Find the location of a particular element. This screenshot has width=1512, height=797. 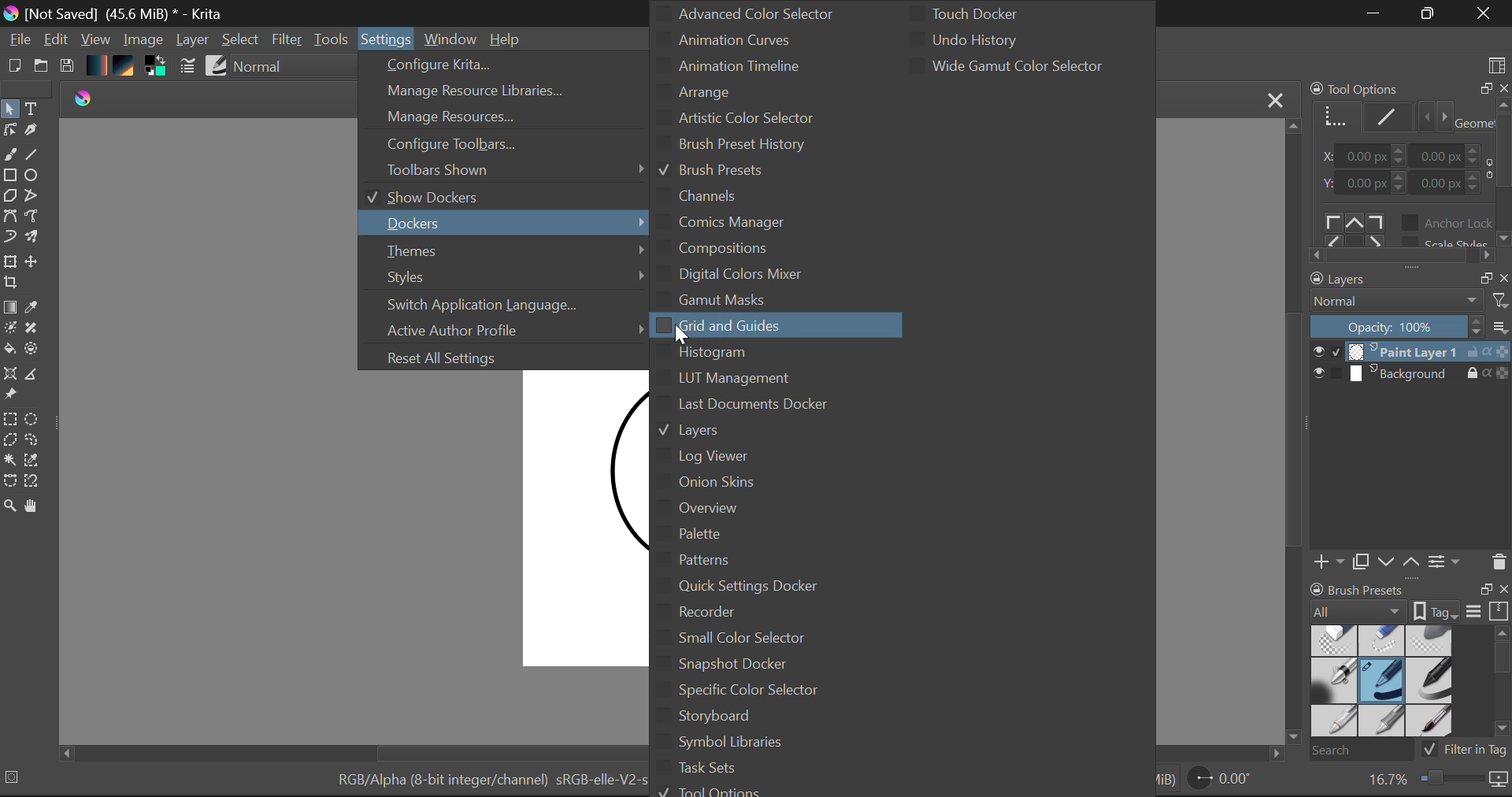

Last Document Docker is located at coordinates (802, 406).